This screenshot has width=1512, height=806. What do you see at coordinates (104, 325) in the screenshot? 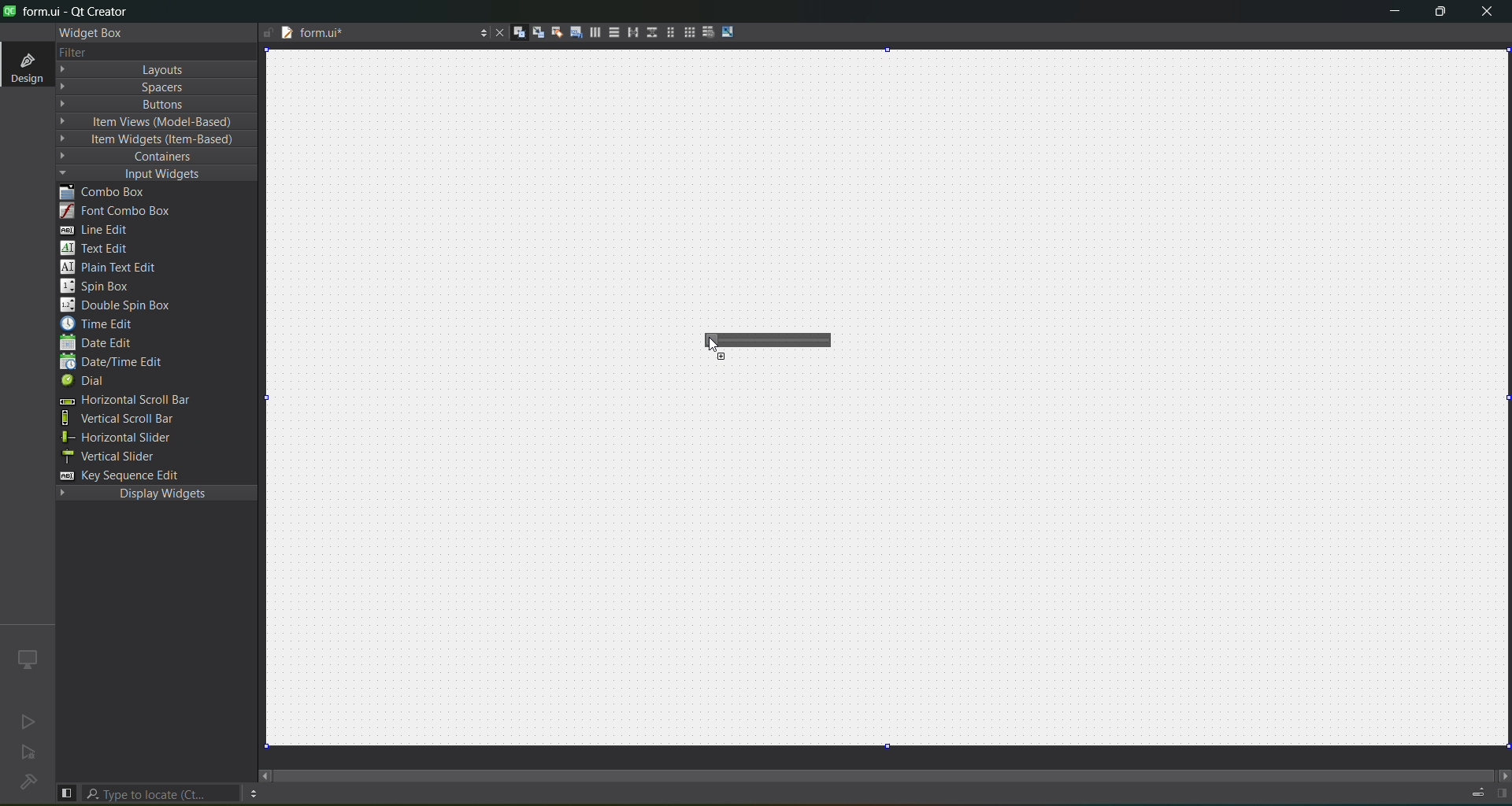
I see `time edit` at bounding box center [104, 325].